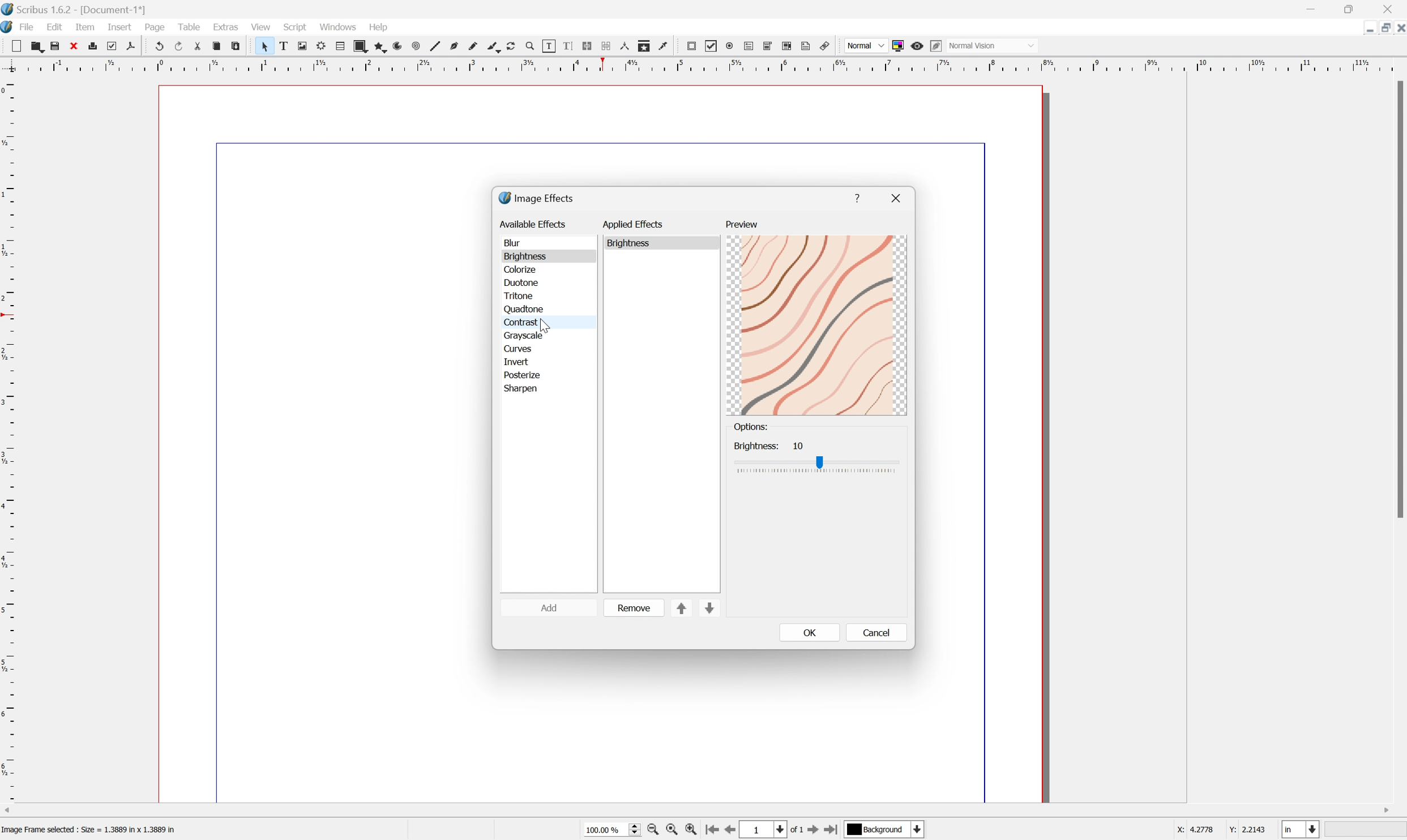 This screenshot has height=840, width=1407. Describe the element at coordinates (75, 46) in the screenshot. I see `Close` at that location.